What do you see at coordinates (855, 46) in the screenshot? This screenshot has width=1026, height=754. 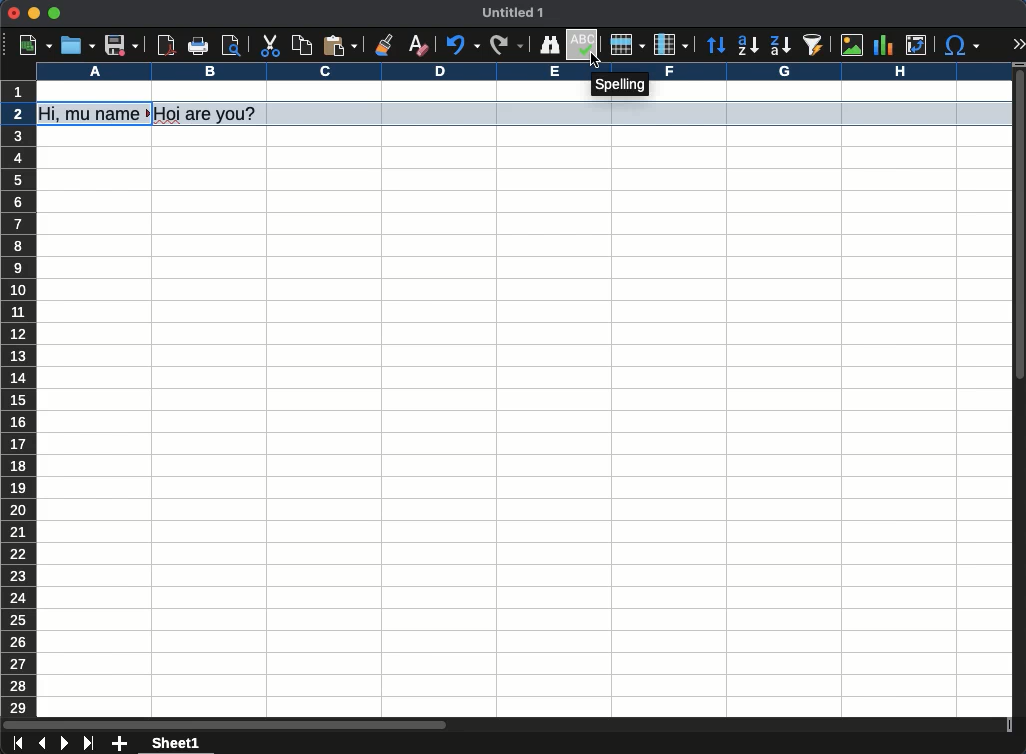 I see `image` at bounding box center [855, 46].